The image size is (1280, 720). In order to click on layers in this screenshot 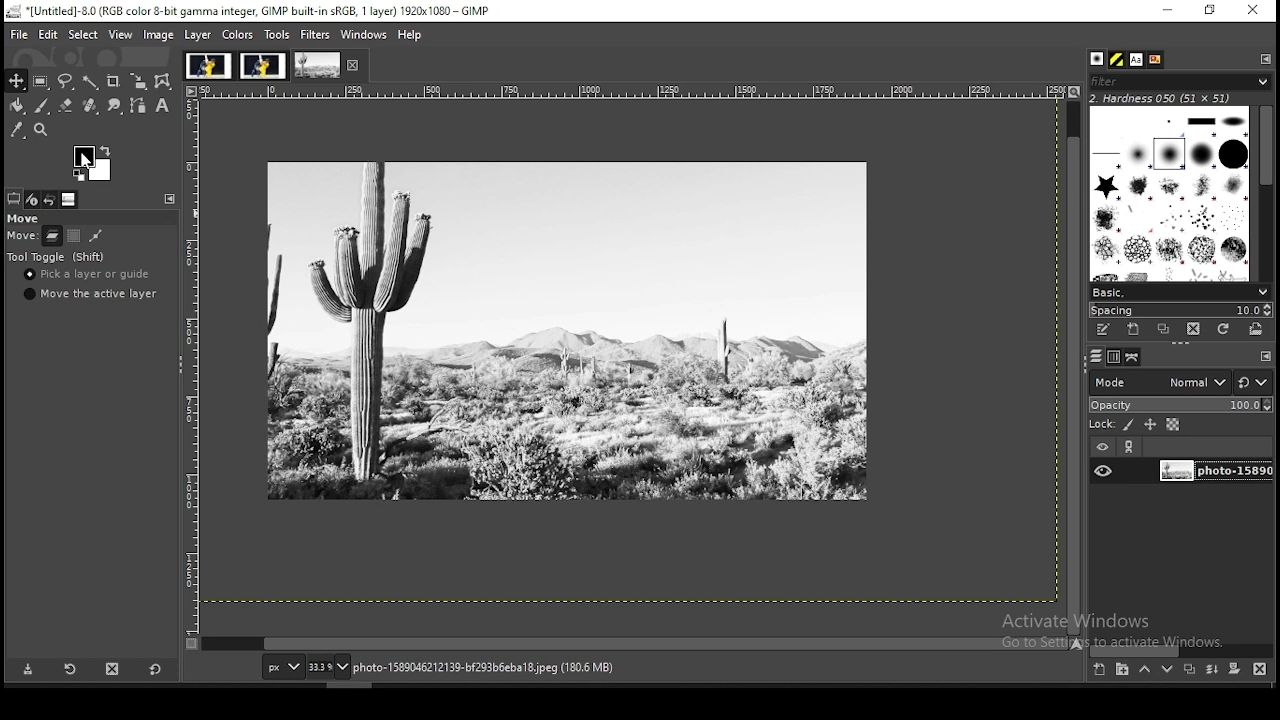, I will do `click(1096, 357)`.